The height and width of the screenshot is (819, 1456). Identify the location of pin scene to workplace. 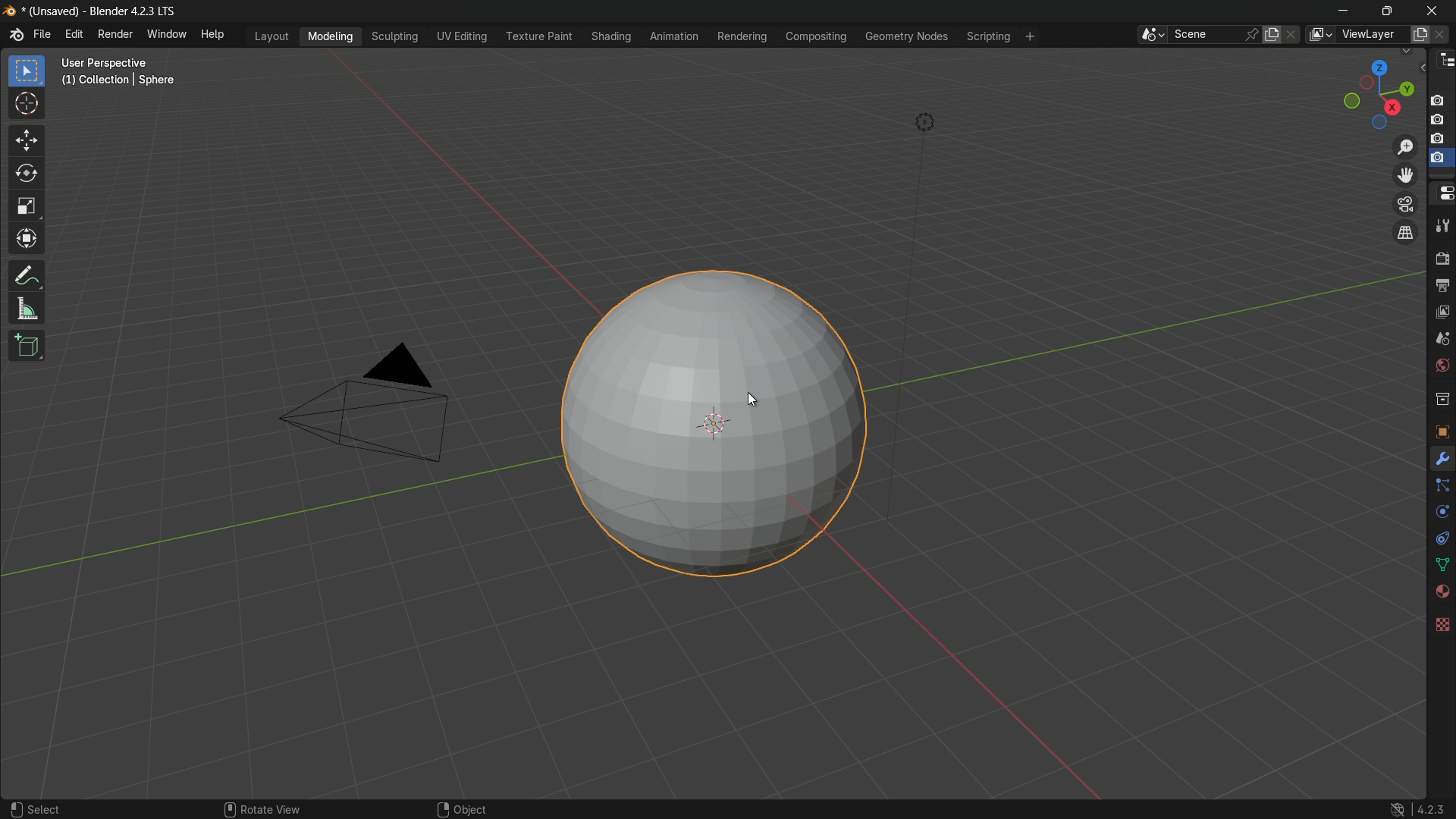
(1253, 33).